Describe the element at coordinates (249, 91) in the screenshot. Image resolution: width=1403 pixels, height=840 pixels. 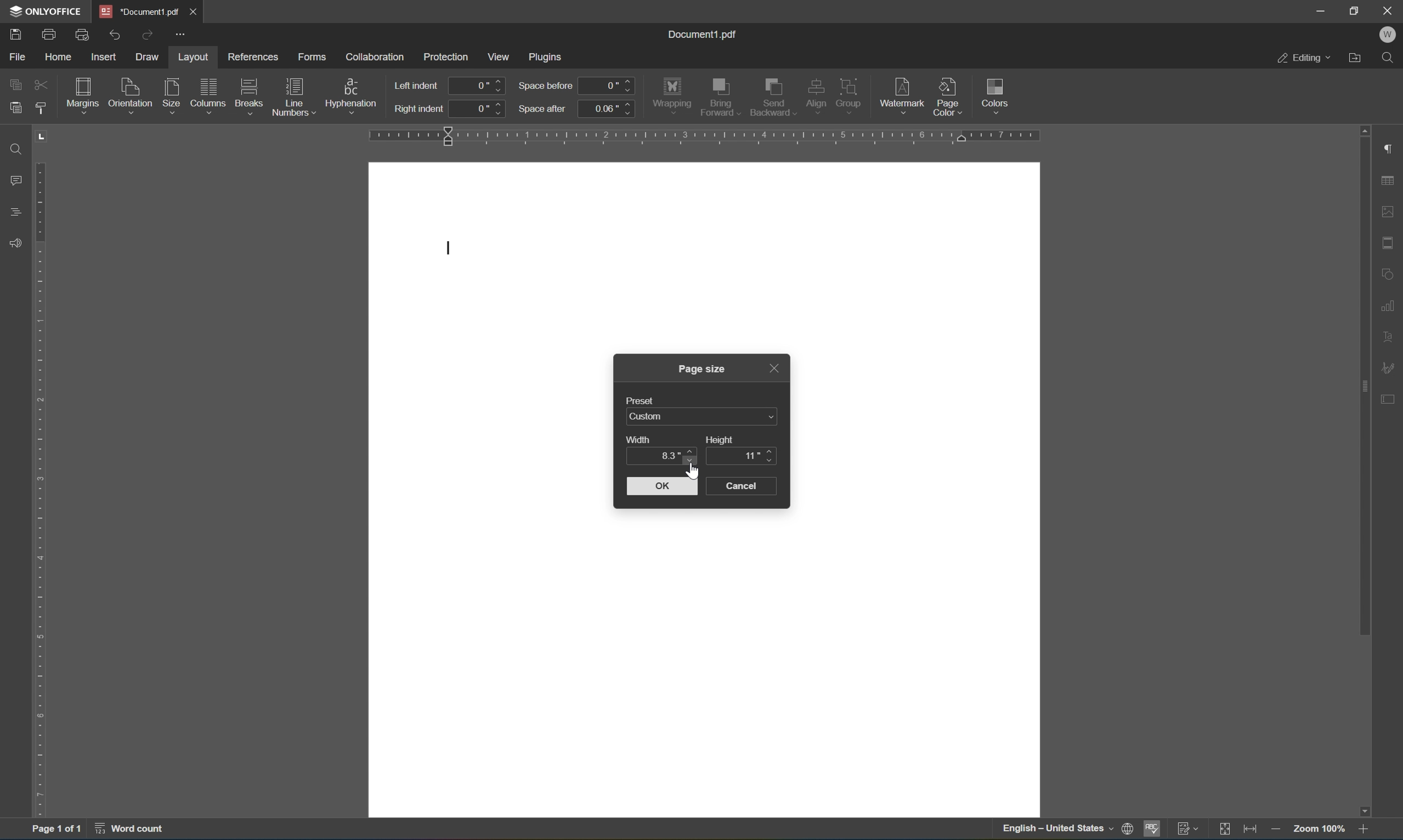
I see `breaks` at that location.